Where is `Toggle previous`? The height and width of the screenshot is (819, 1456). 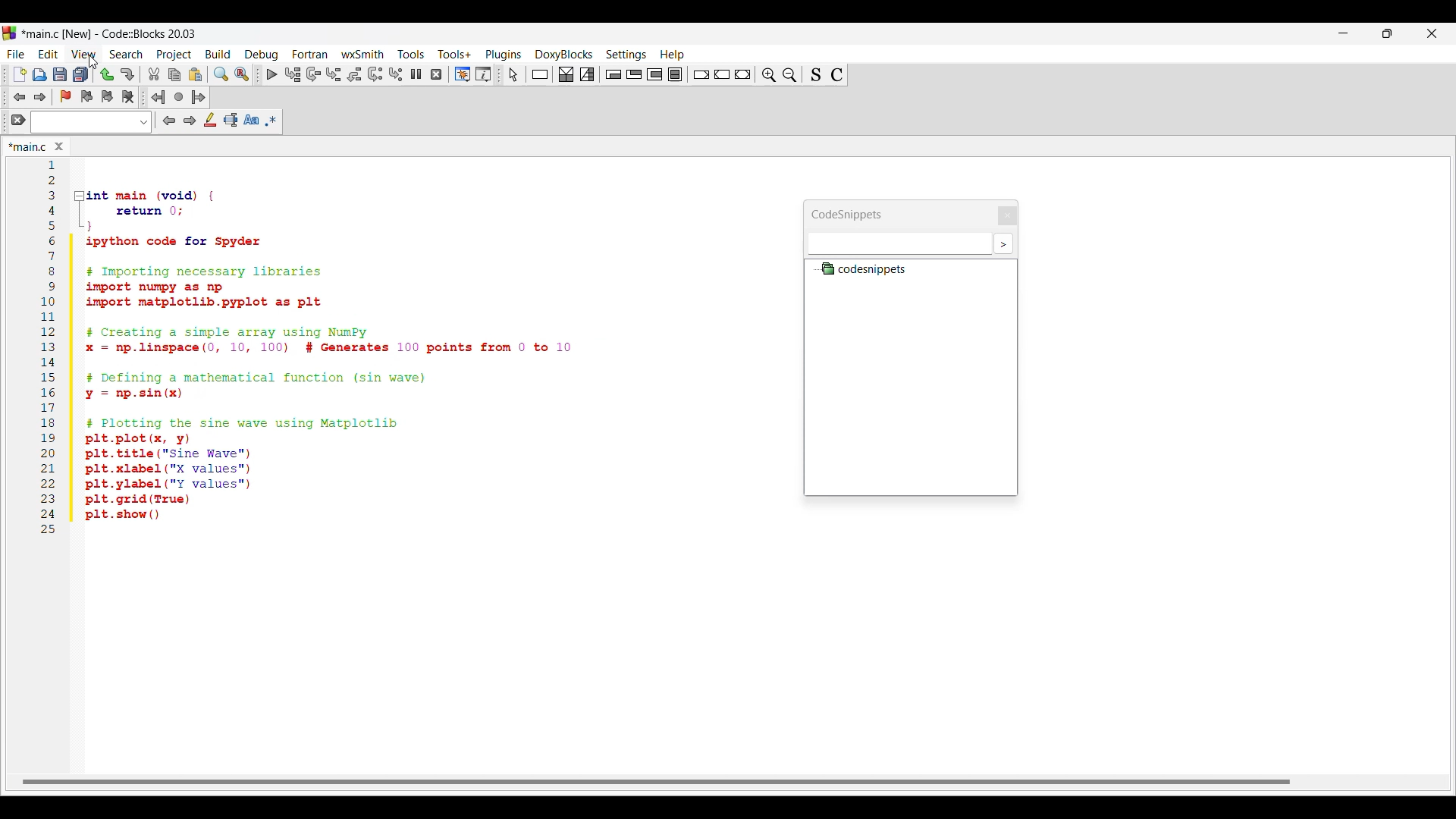
Toggle previous is located at coordinates (86, 96).